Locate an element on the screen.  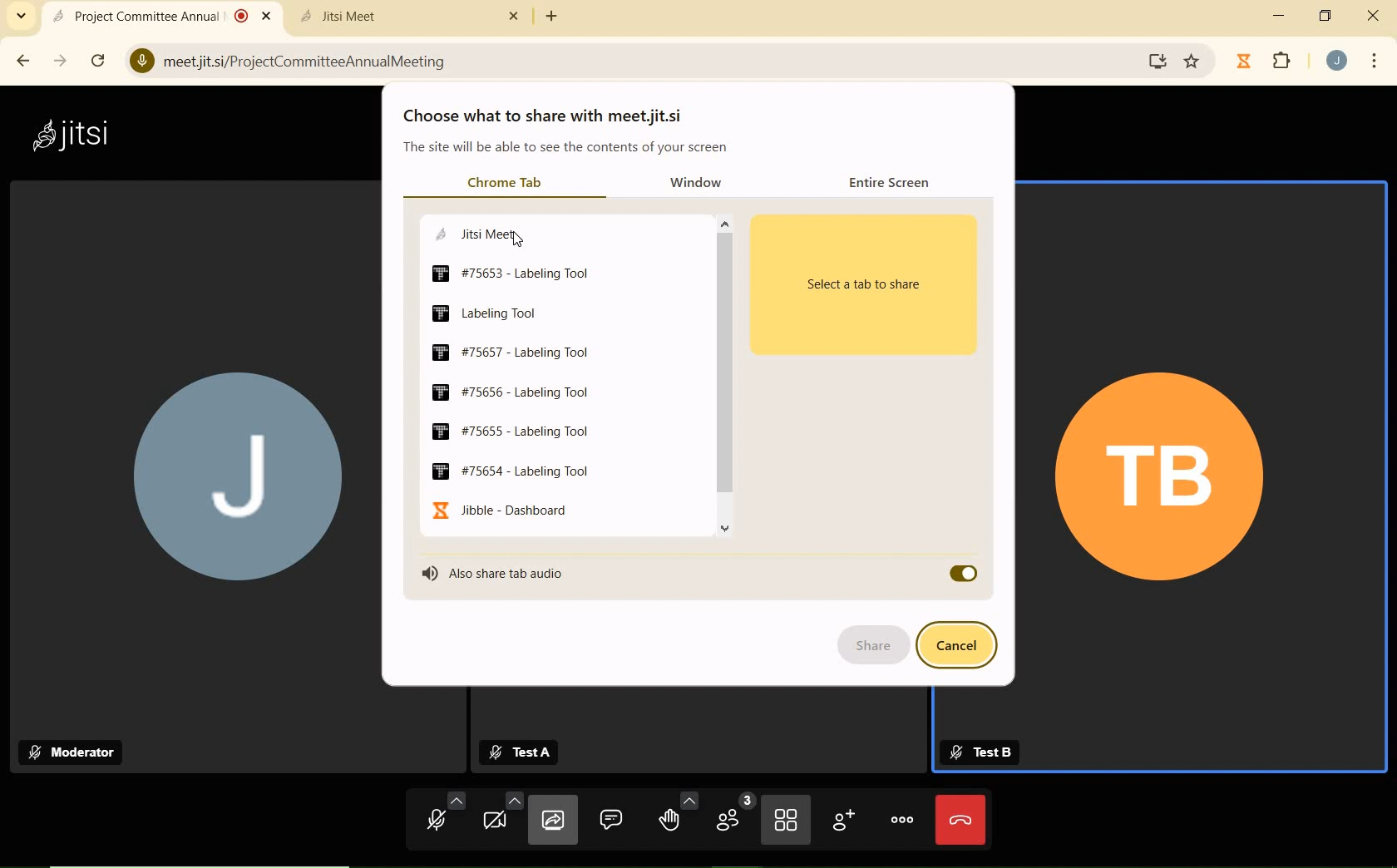
Jitsi Meet is located at coordinates (495, 233).